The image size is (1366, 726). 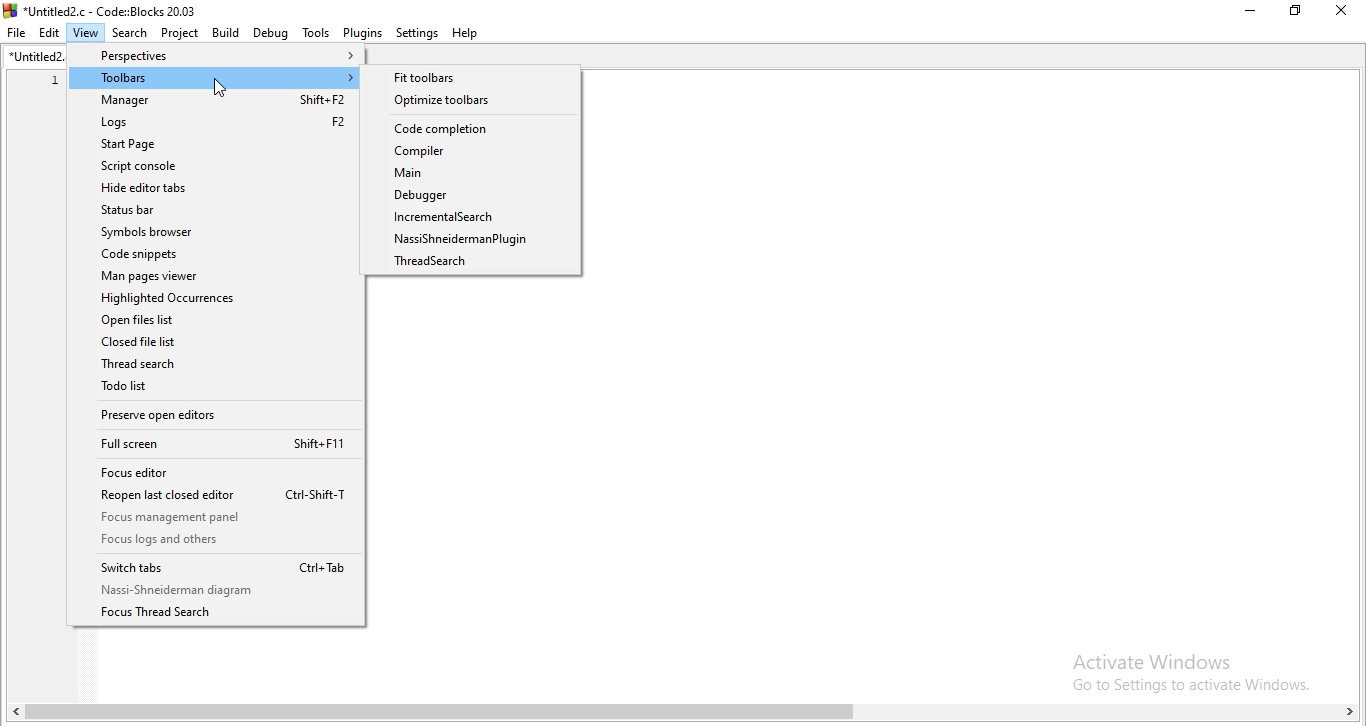 I want to click on Nas-Shneiderman diagram, so click(x=227, y=591).